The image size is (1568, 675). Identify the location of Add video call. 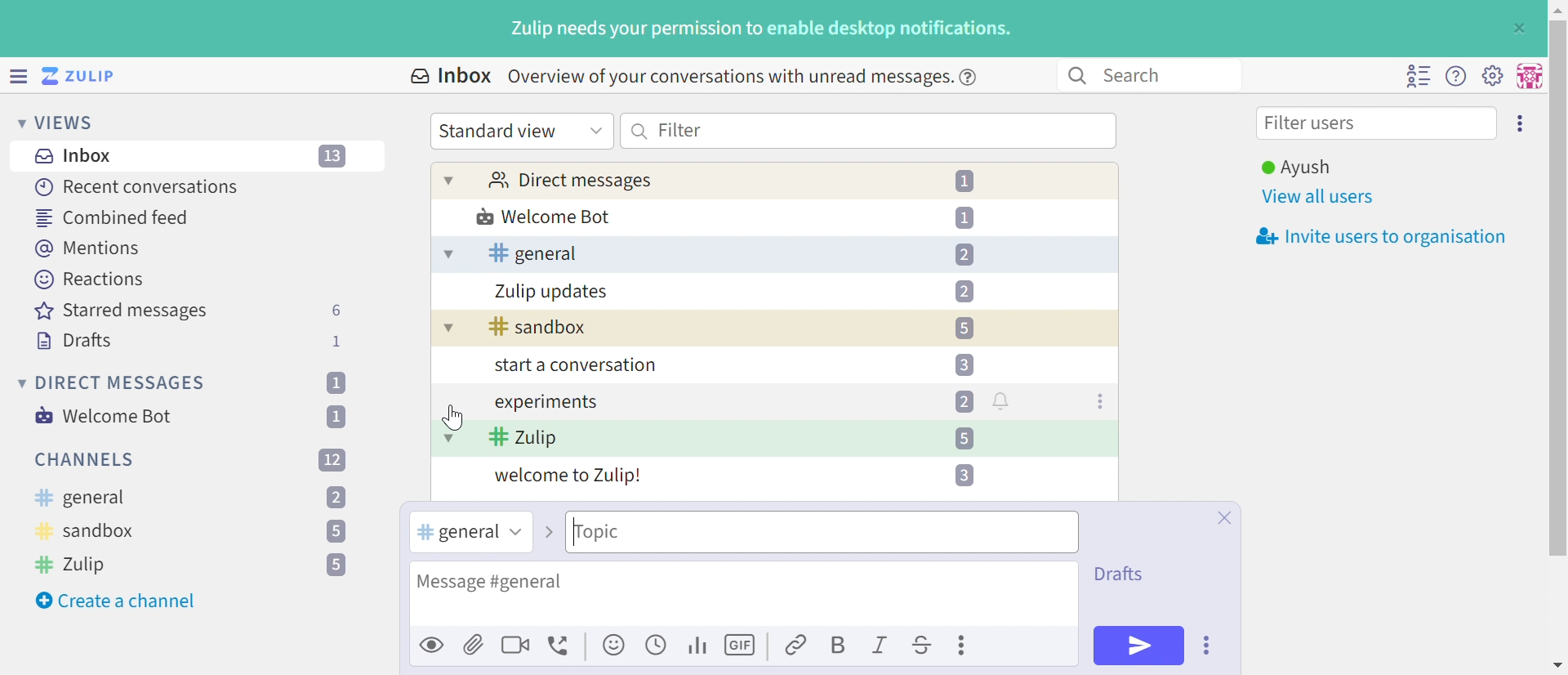
(515, 644).